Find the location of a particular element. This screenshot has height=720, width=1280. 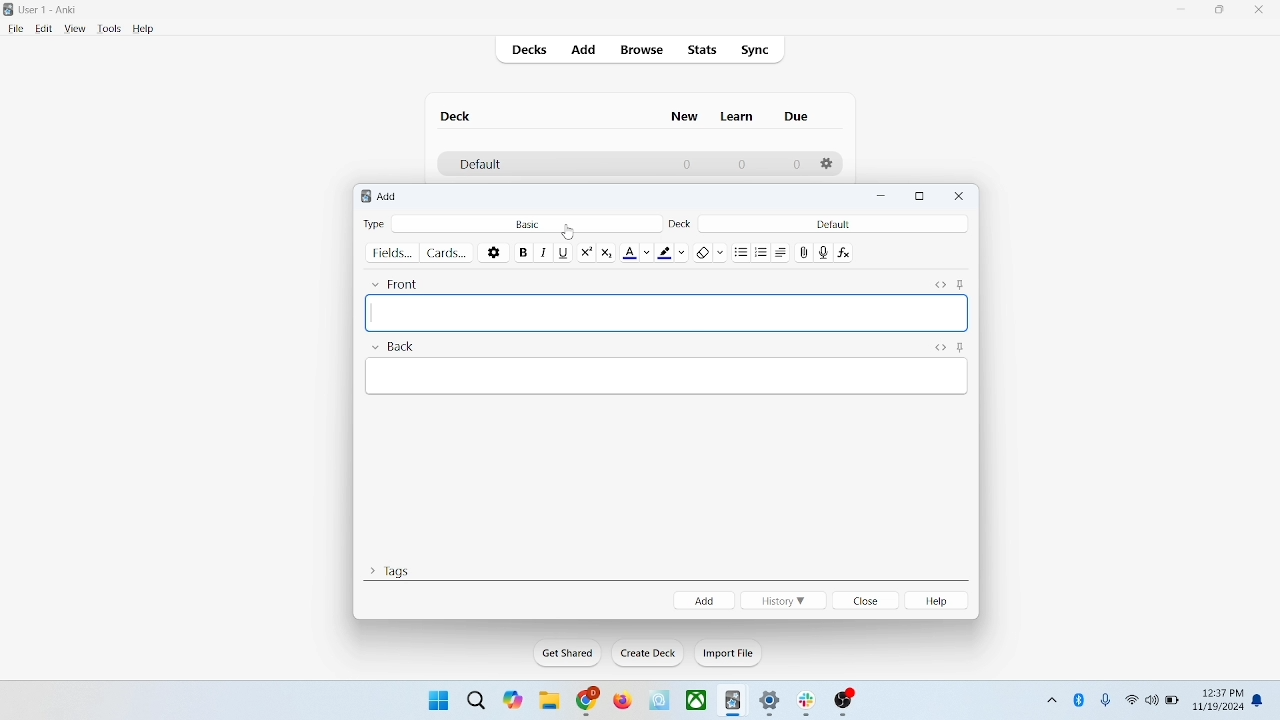

help is located at coordinates (940, 601).